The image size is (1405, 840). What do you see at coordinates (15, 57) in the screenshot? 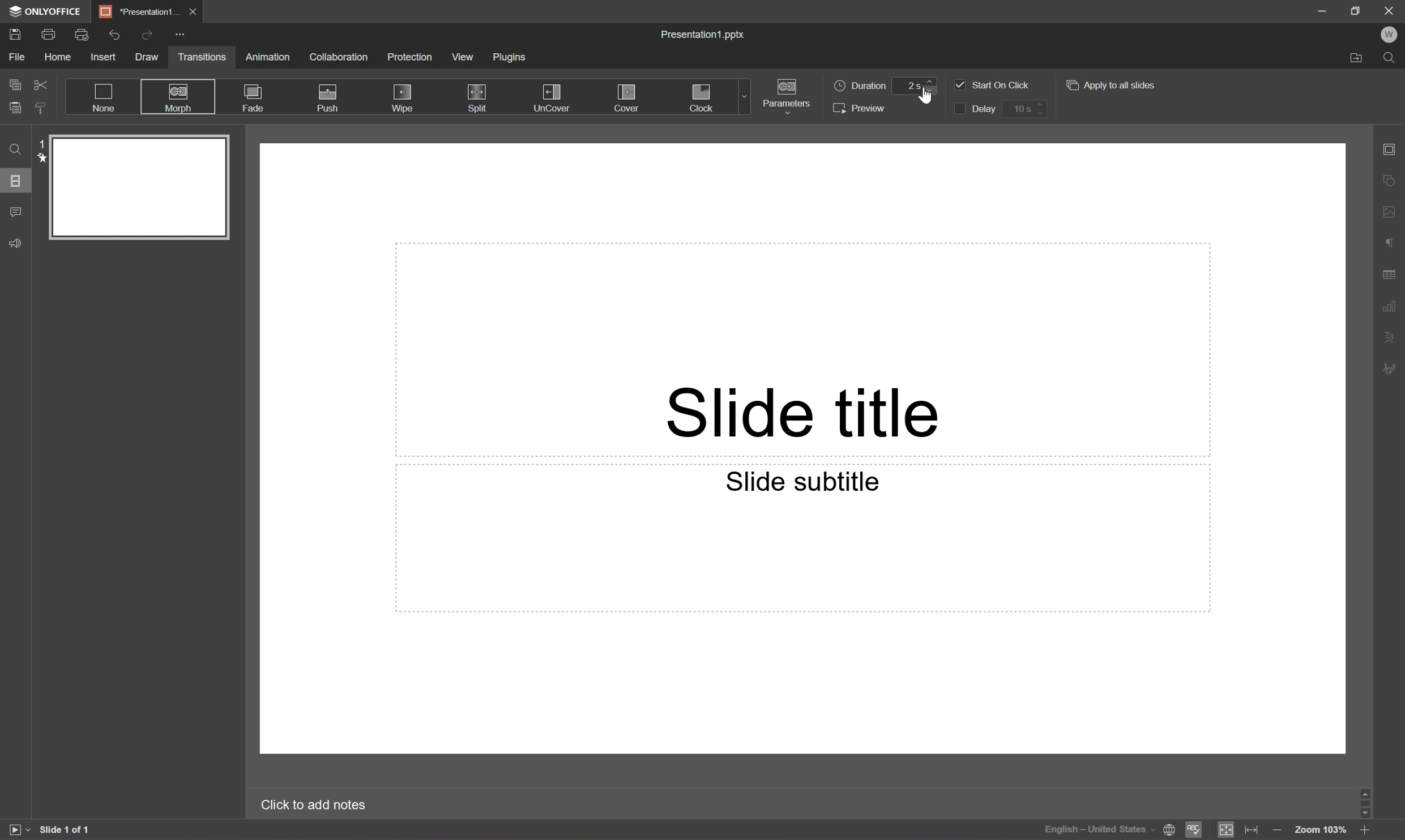
I see `File` at bounding box center [15, 57].